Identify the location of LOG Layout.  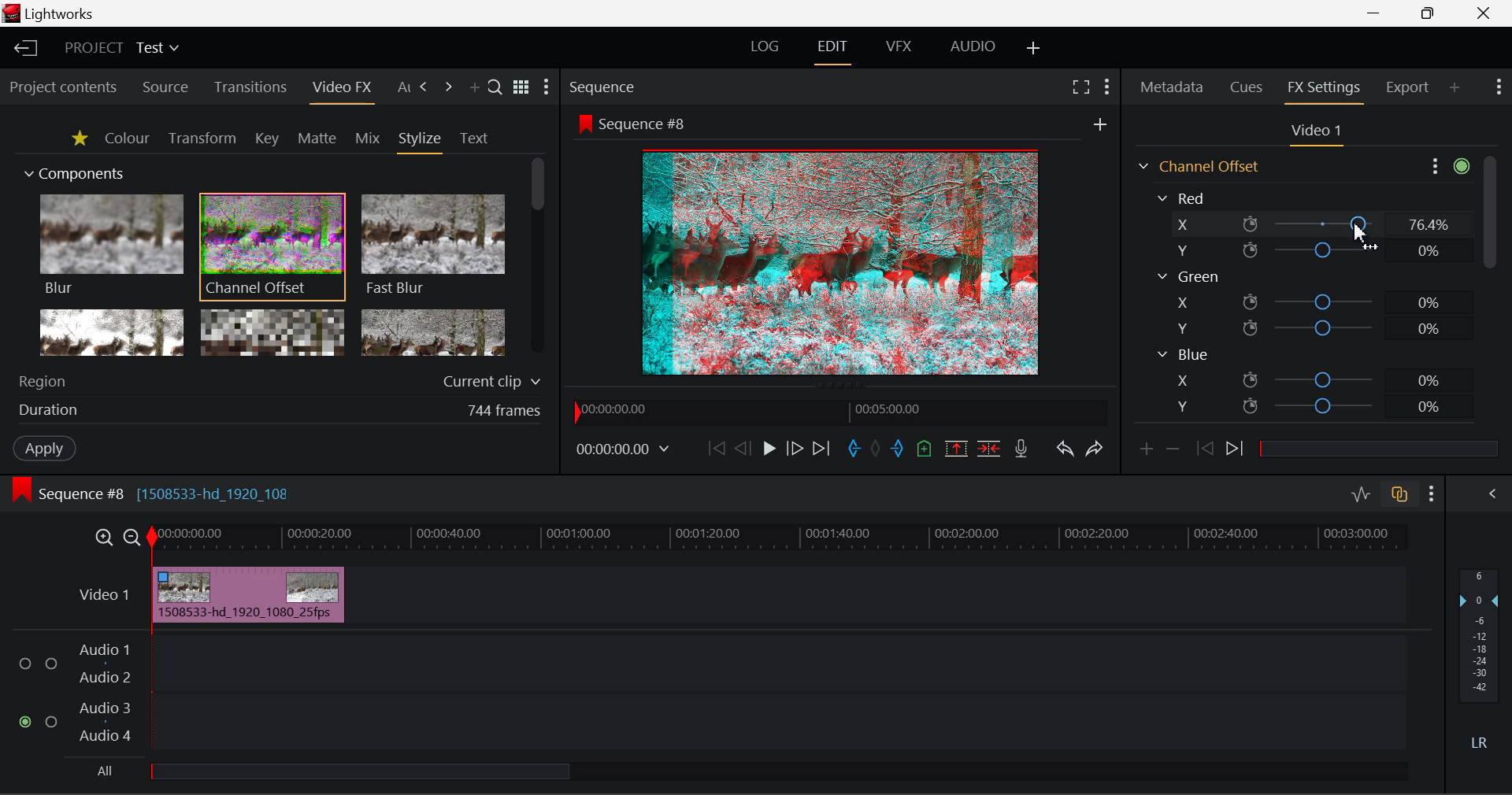
(765, 50).